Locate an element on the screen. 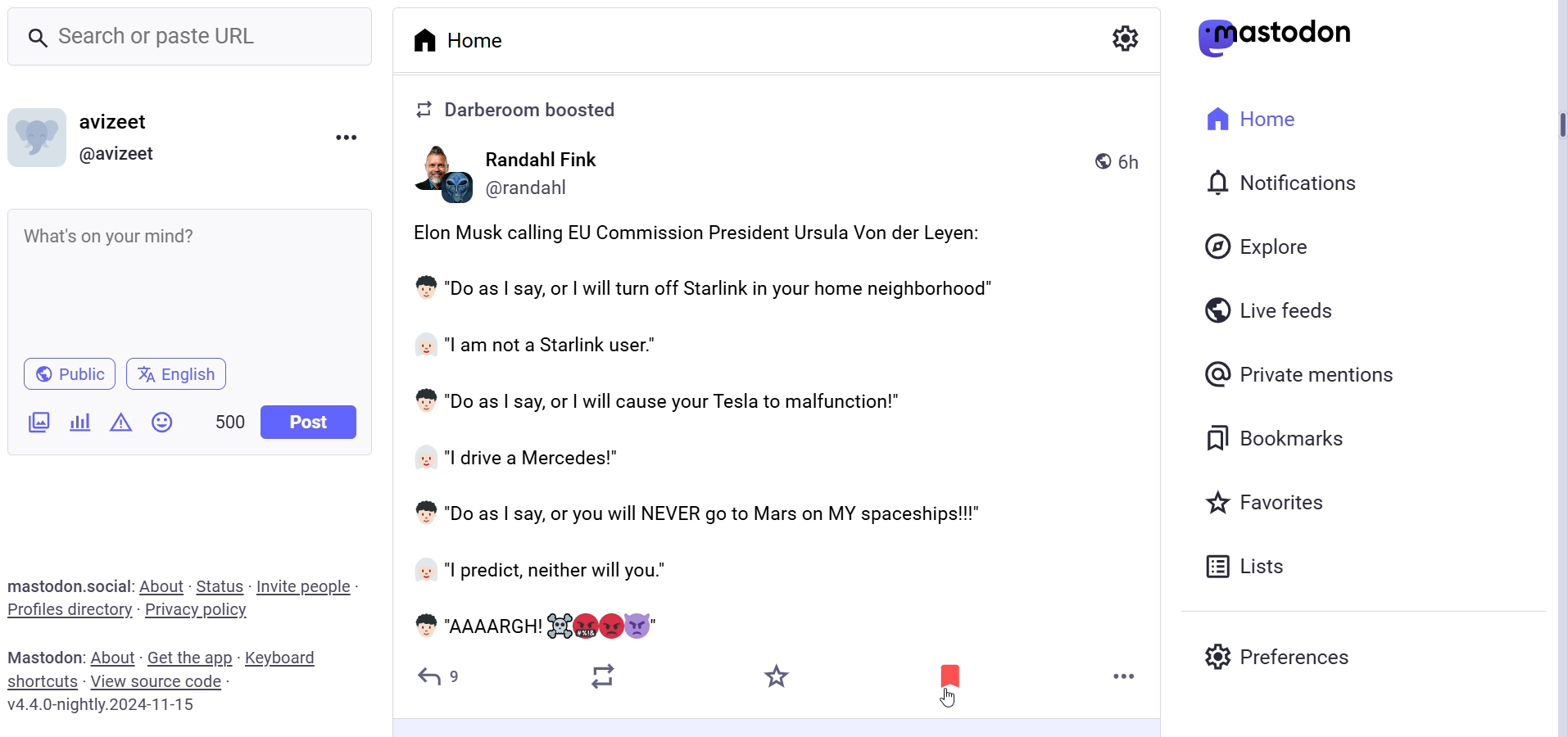  Text is located at coordinates (45, 656).